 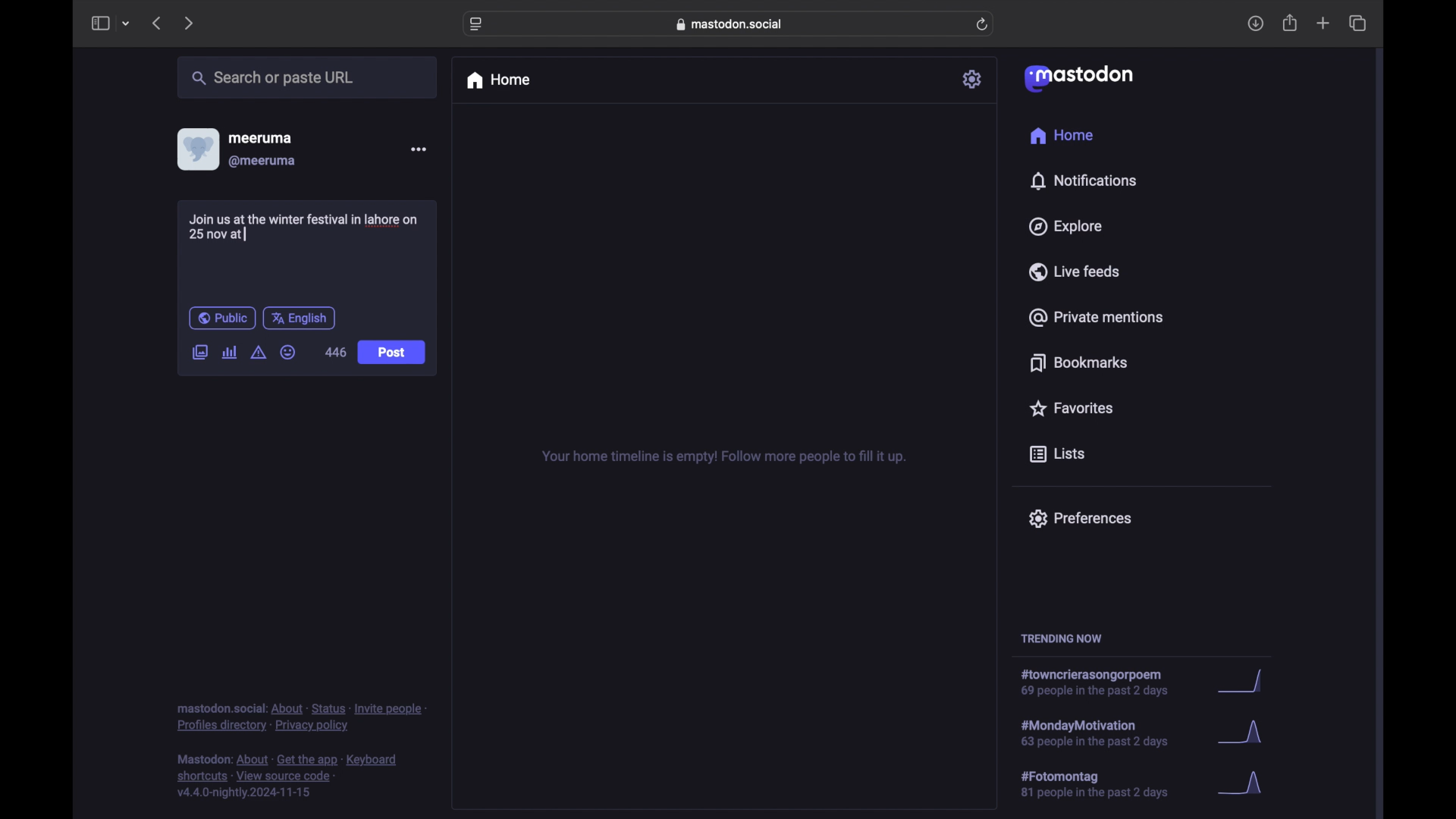 I want to click on website settings, so click(x=478, y=24).